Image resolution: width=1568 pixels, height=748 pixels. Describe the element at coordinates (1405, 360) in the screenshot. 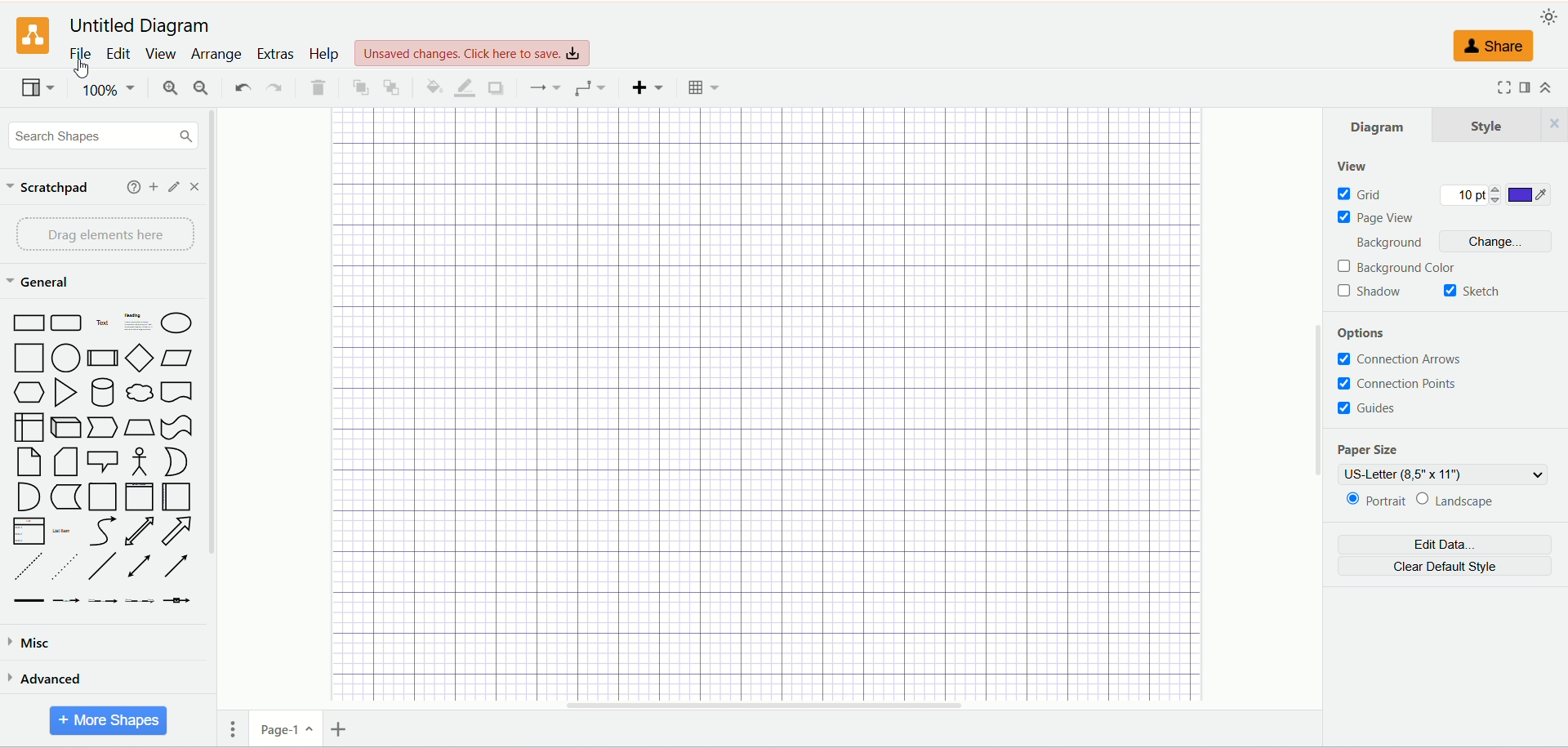

I see `connection arrows` at that location.